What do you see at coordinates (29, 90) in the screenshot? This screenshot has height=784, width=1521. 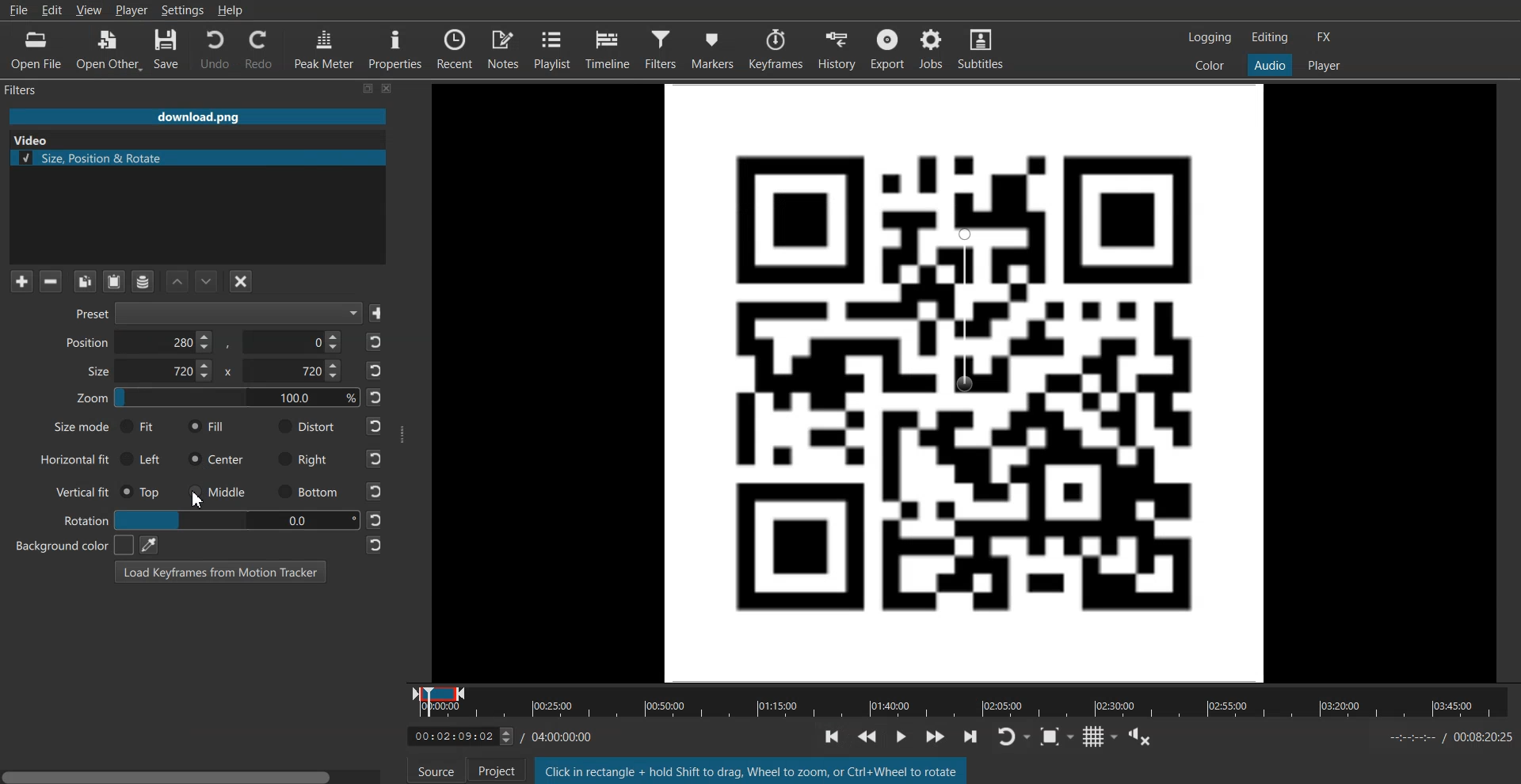 I see `Text 1` at bounding box center [29, 90].